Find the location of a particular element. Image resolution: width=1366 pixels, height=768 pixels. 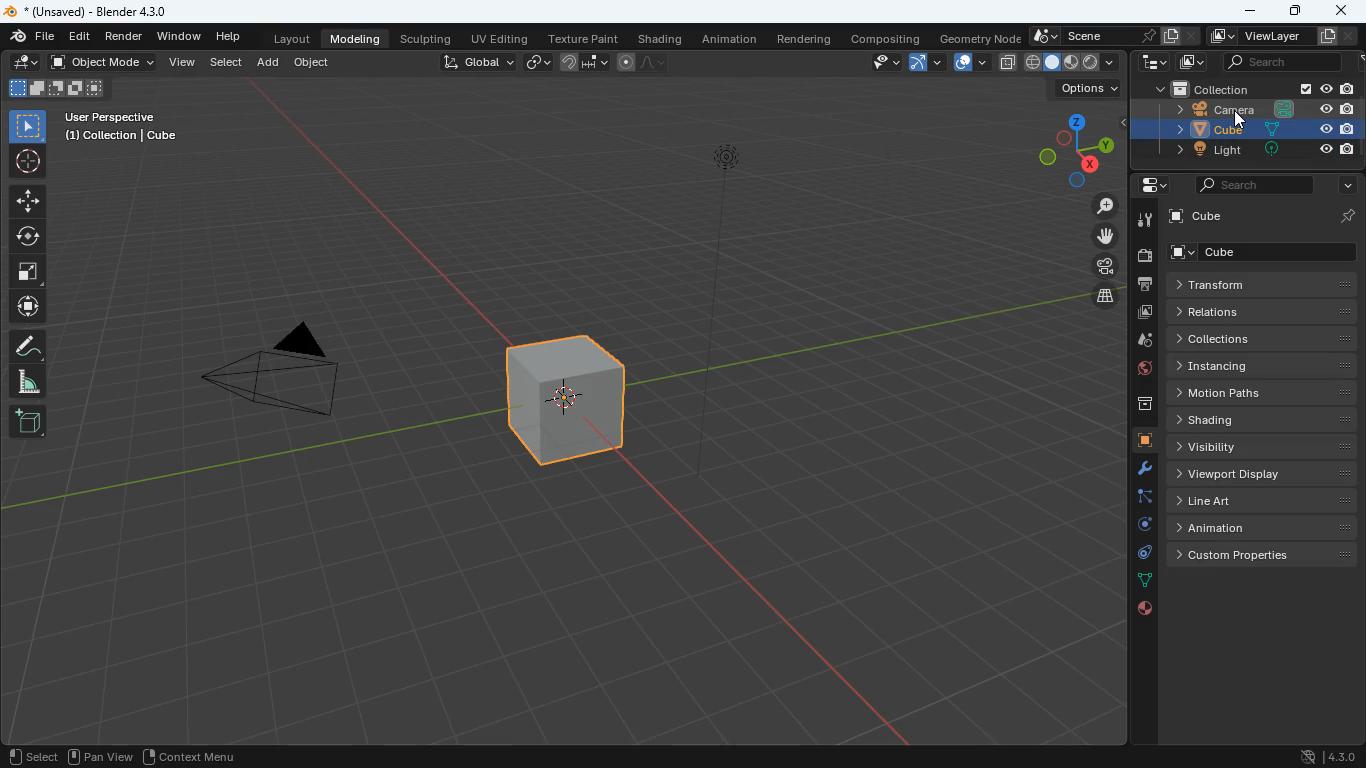

help is located at coordinates (232, 37).